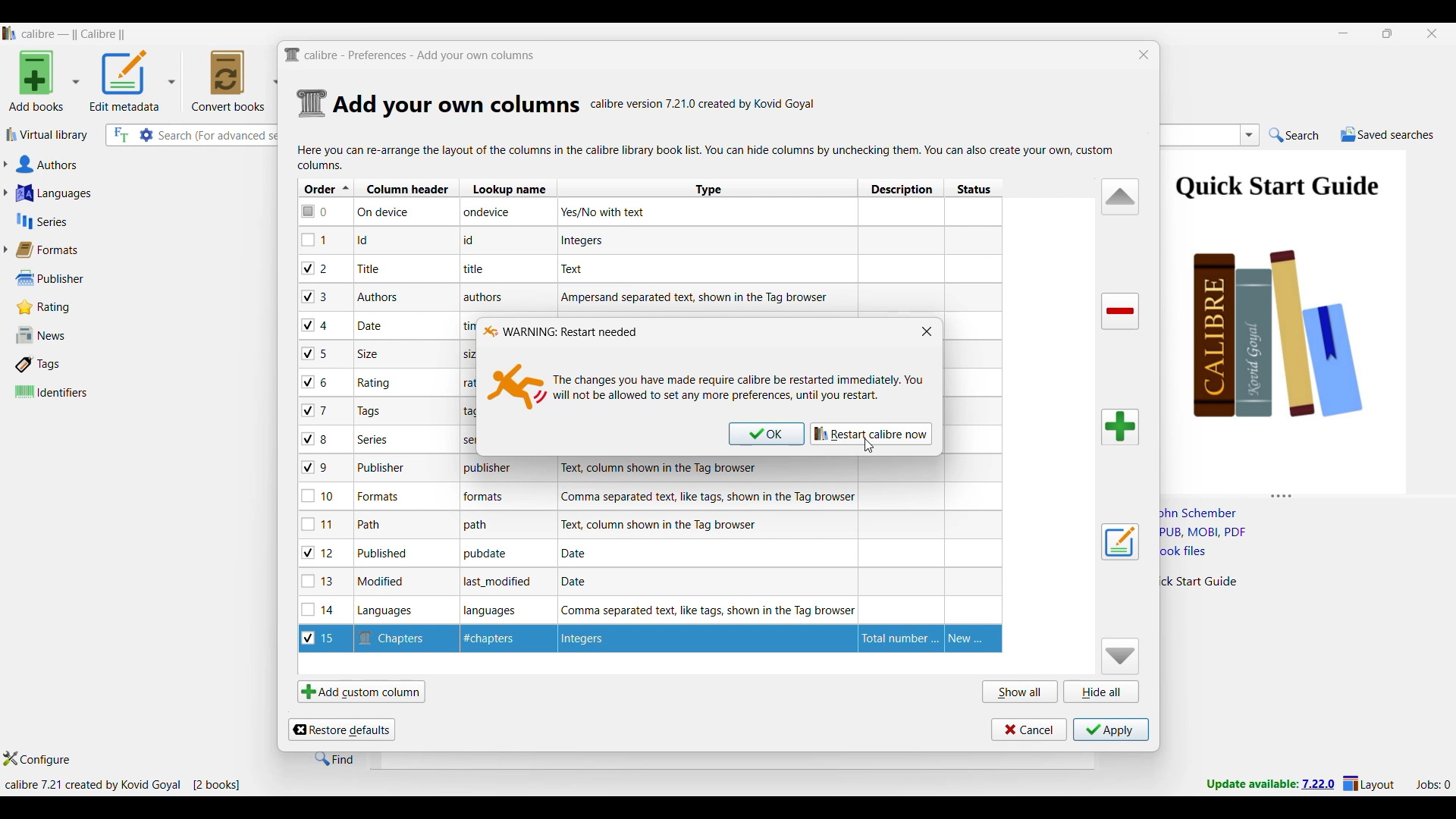 The width and height of the screenshot is (1456, 819). I want to click on Explanation, so click(673, 468).